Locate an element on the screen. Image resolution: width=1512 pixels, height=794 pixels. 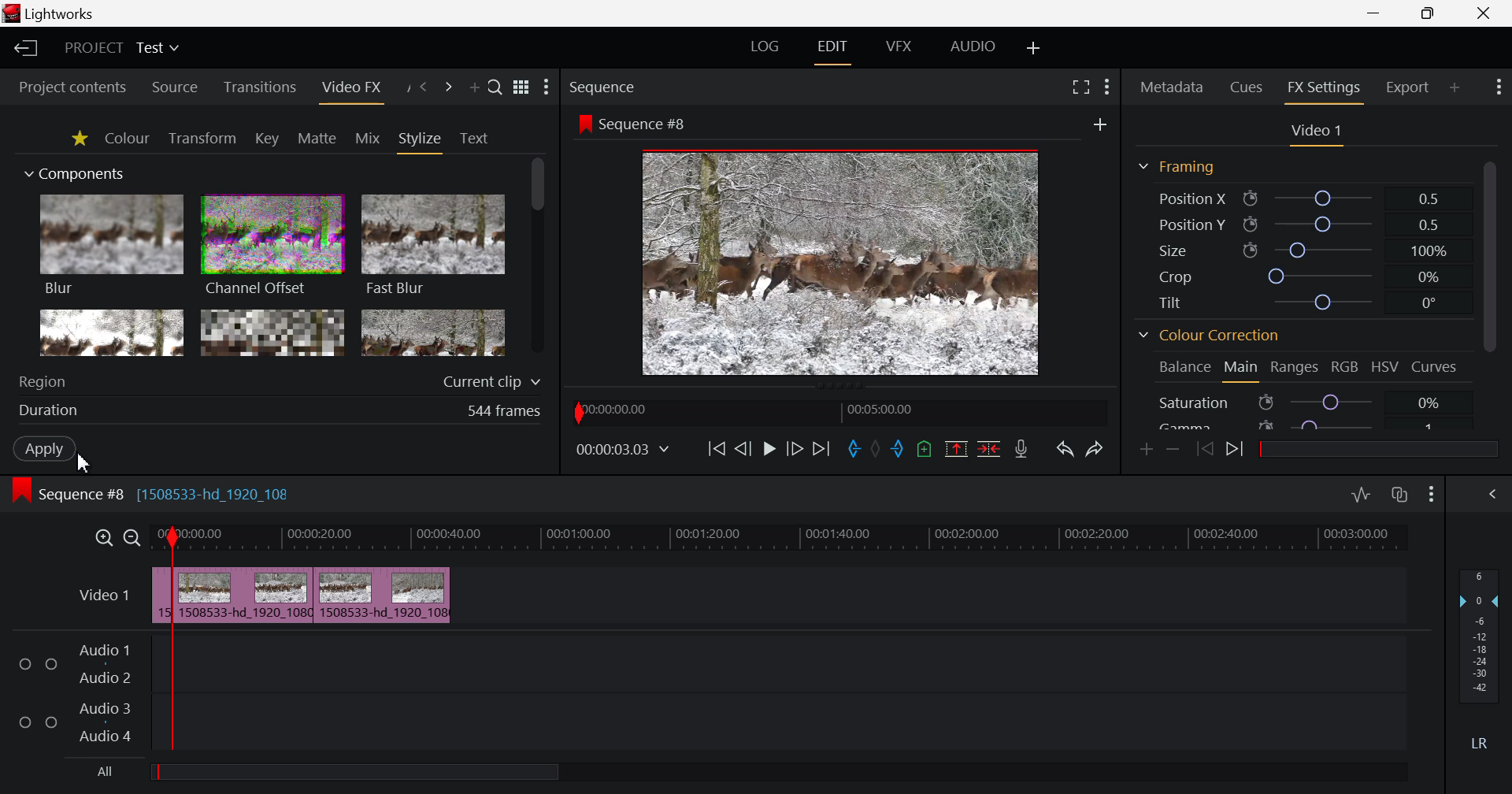
To Start is located at coordinates (717, 449).